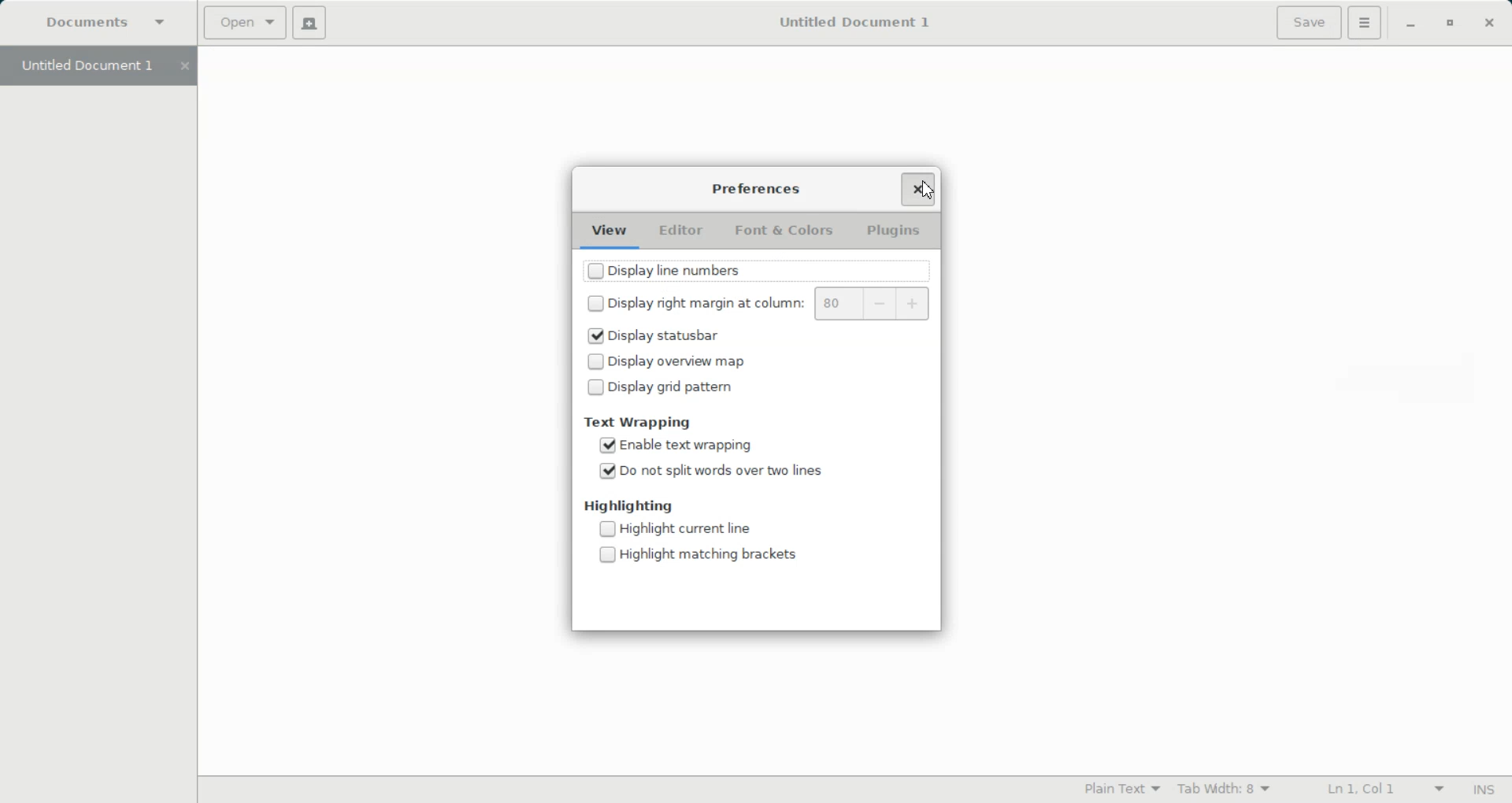  I want to click on 80, so click(838, 303).